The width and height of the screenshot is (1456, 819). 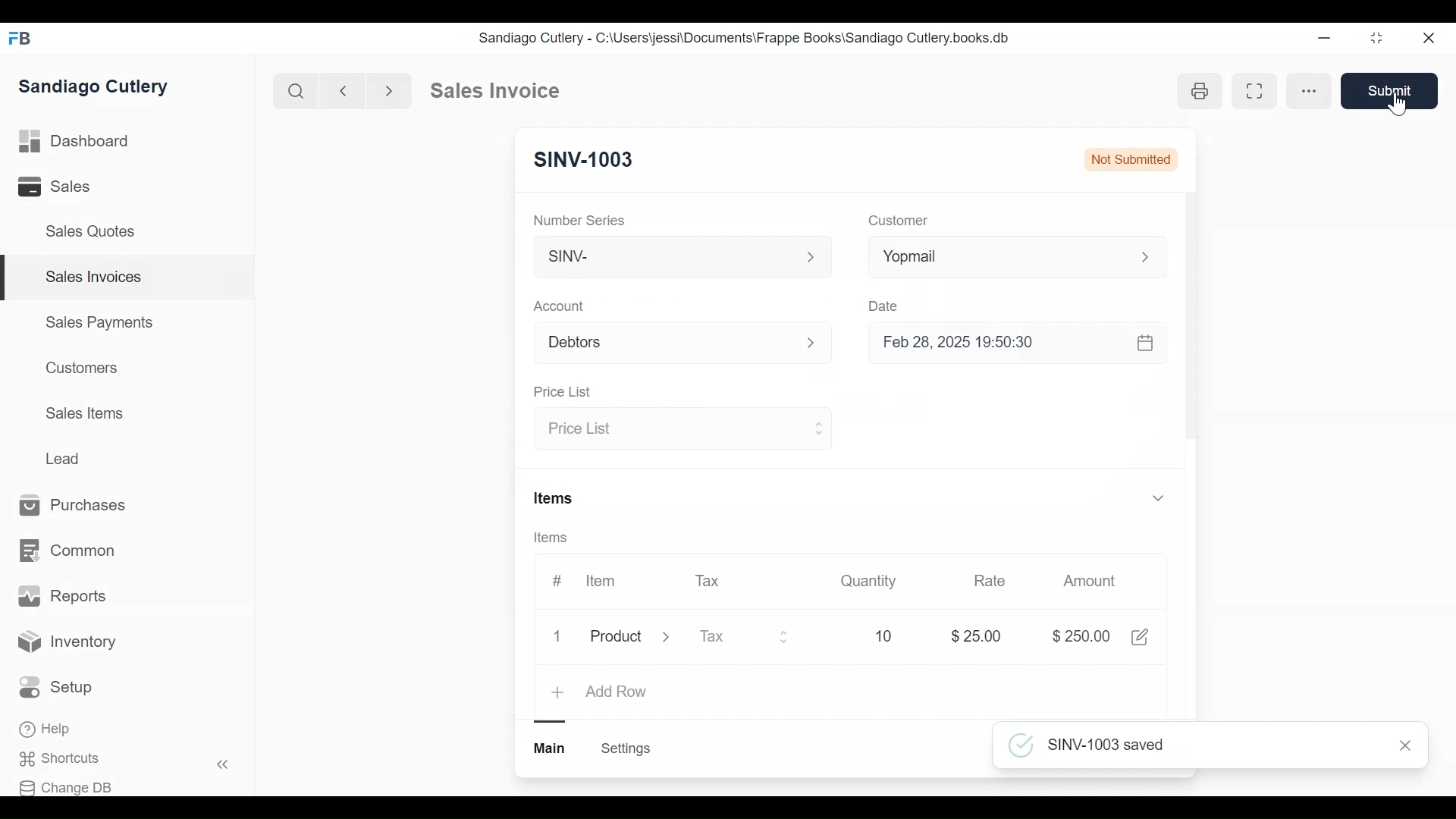 I want to click on forward, so click(x=390, y=89).